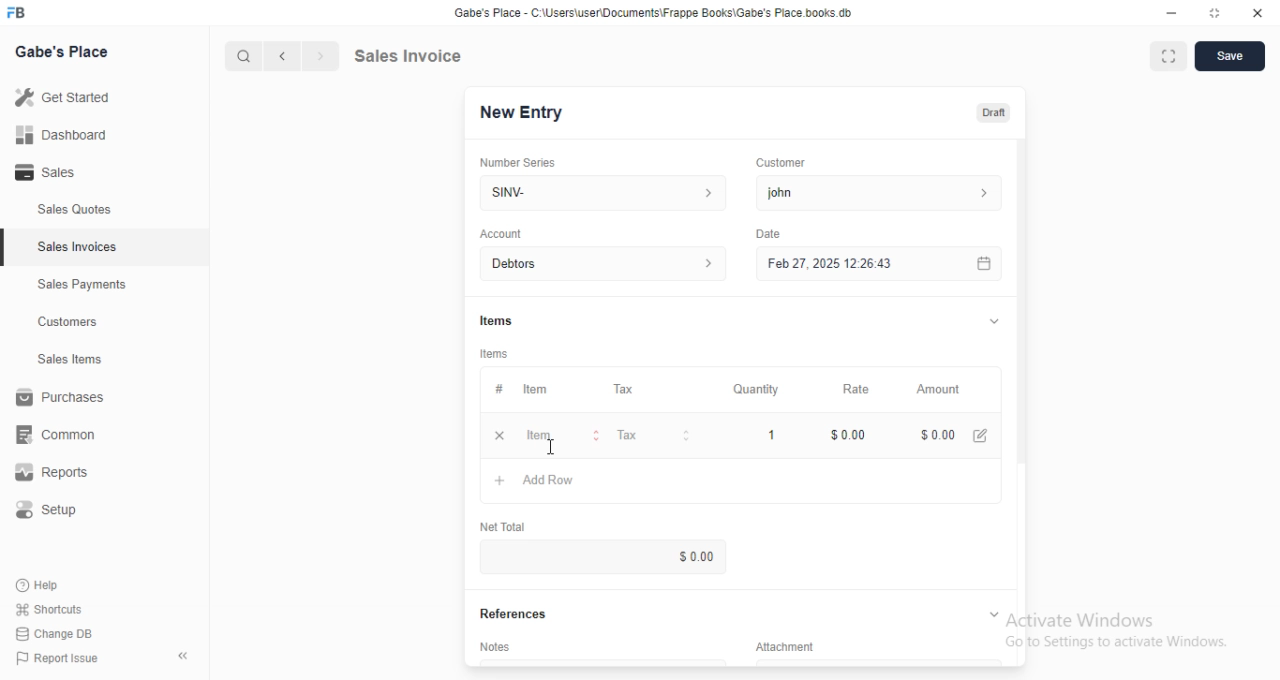  Describe the element at coordinates (689, 555) in the screenshot. I see `$0.00` at that location.